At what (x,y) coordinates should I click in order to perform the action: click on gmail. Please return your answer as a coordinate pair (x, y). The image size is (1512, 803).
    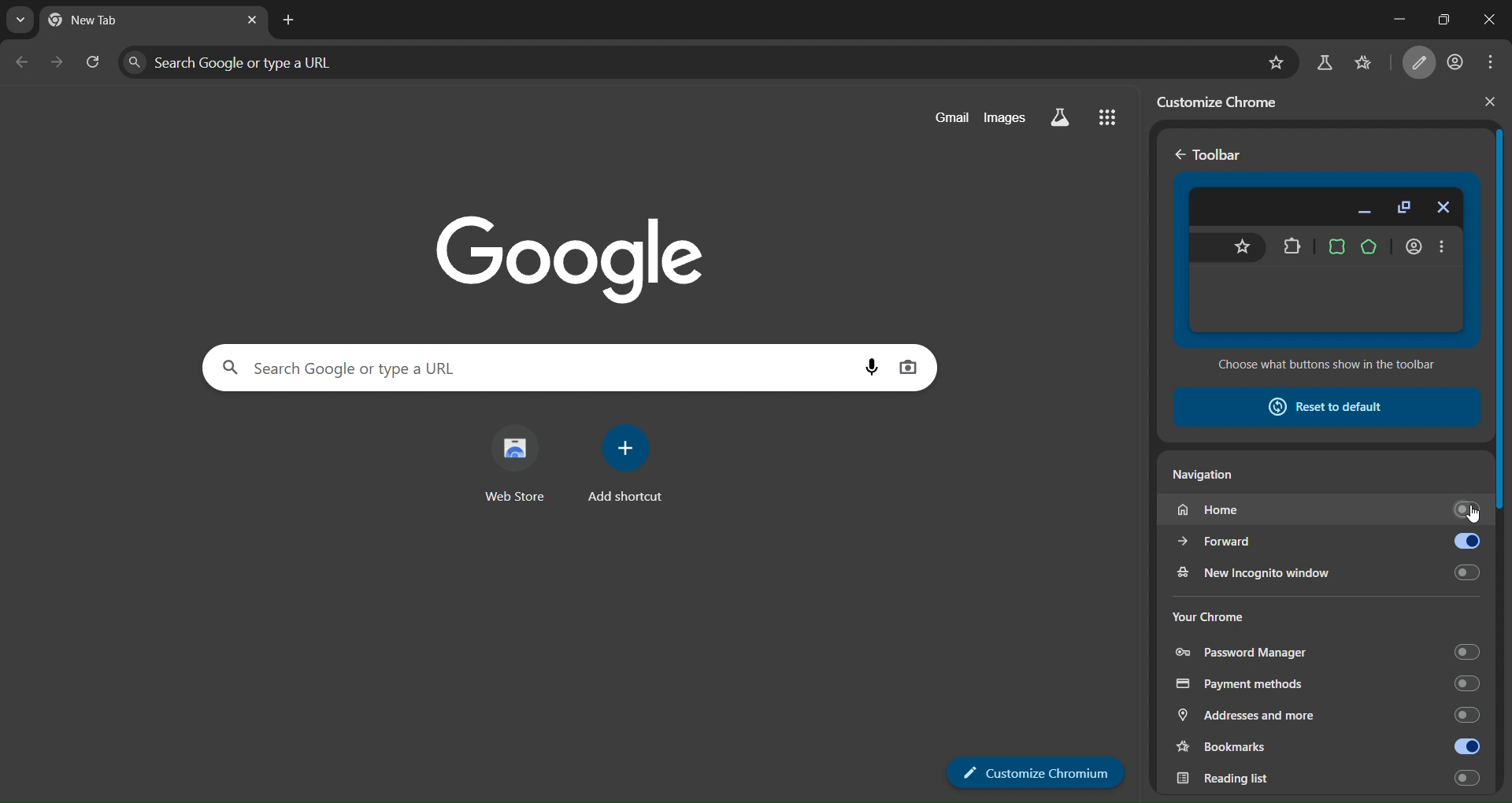
    Looking at the image, I should click on (945, 117).